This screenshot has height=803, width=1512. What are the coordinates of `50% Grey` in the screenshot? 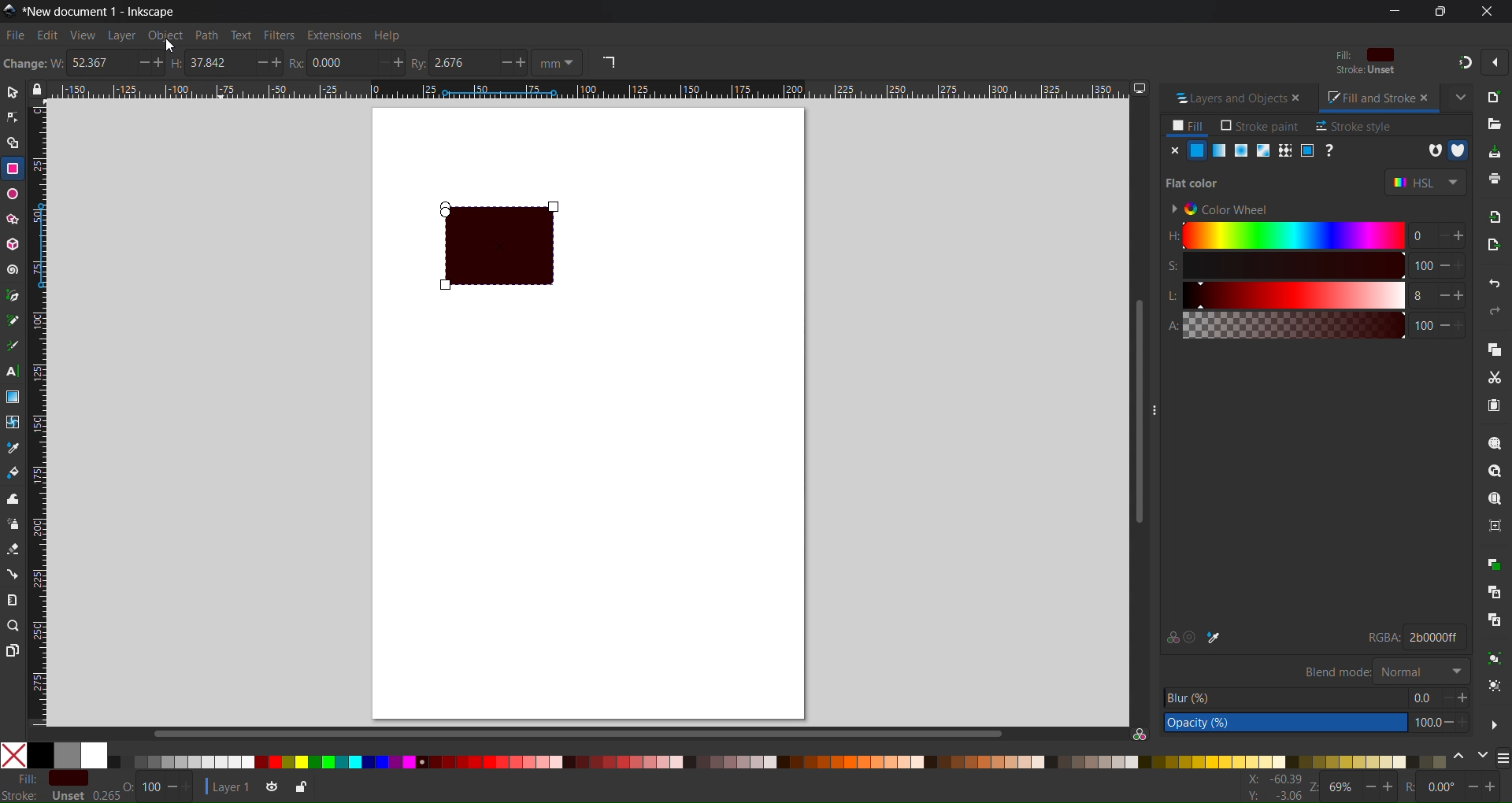 It's located at (69, 755).